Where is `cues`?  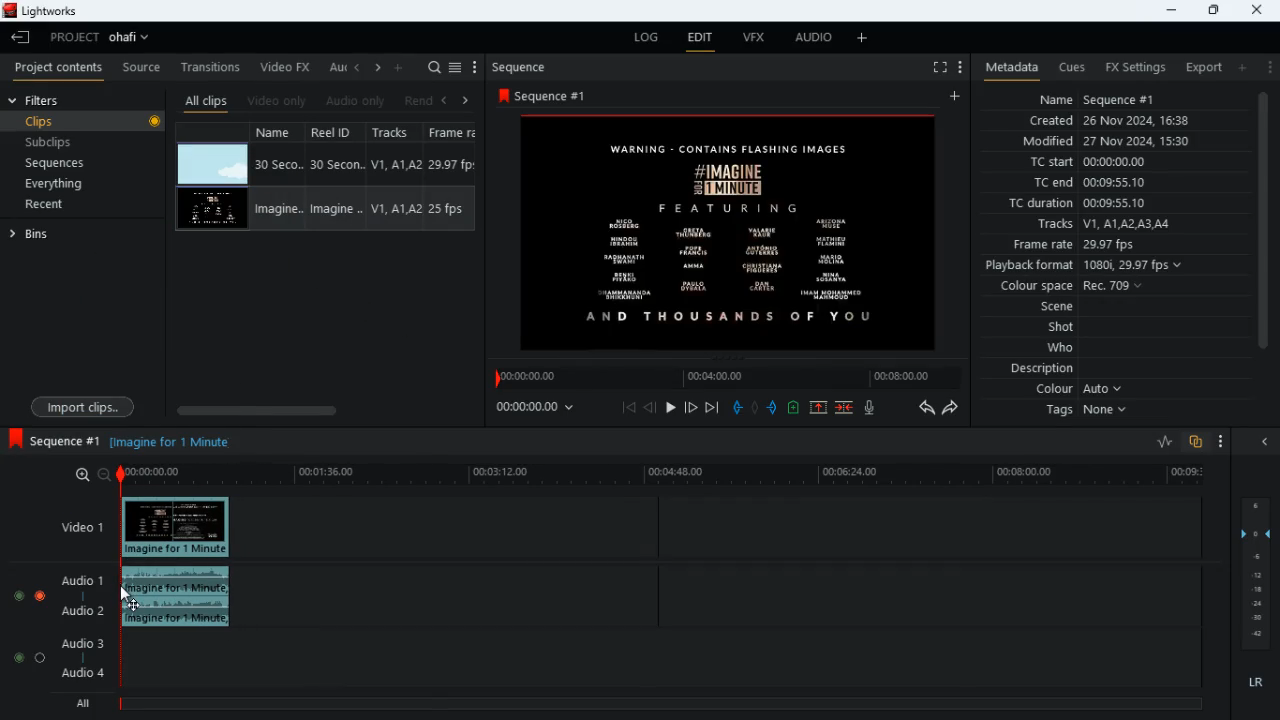
cues is located at coordinates (1072, 67).